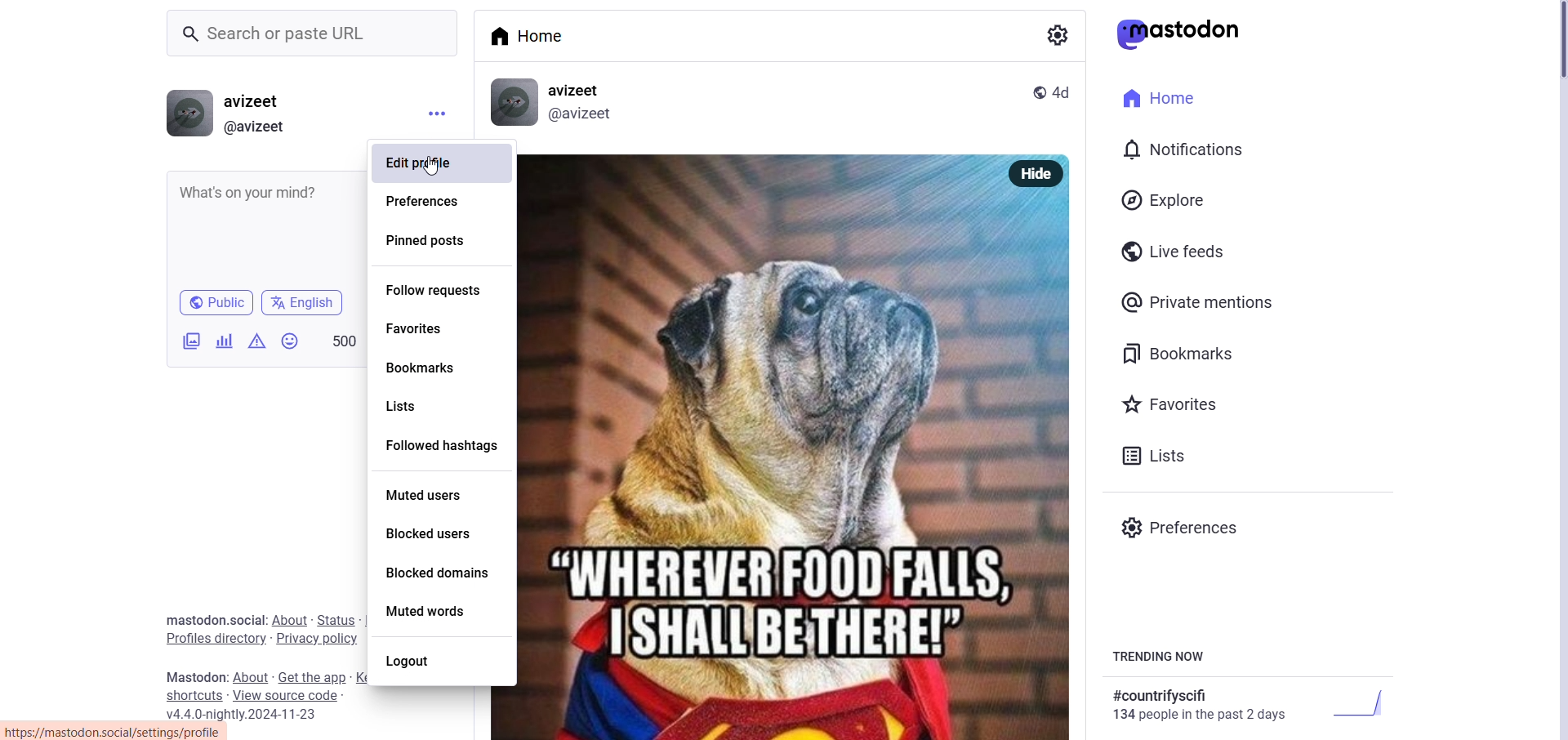 This screenshot has width=1568, height=740. What do you see at coordinates (434, 289) in the screenshot?
I see `follow request` at bounding box center [434, 289].